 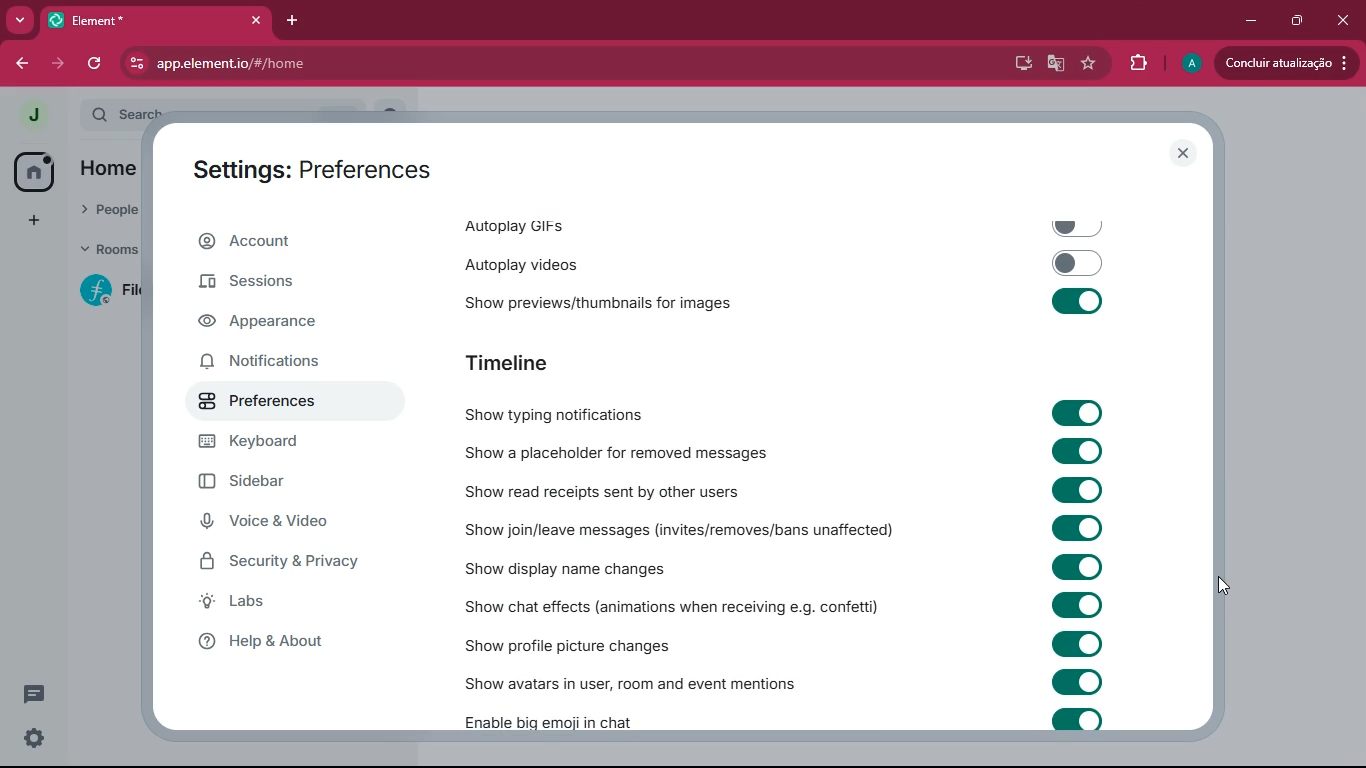 What do you see at coordinates (300, 646) in the screenshot?
I see `help & about` at bounding box center [300, 646].